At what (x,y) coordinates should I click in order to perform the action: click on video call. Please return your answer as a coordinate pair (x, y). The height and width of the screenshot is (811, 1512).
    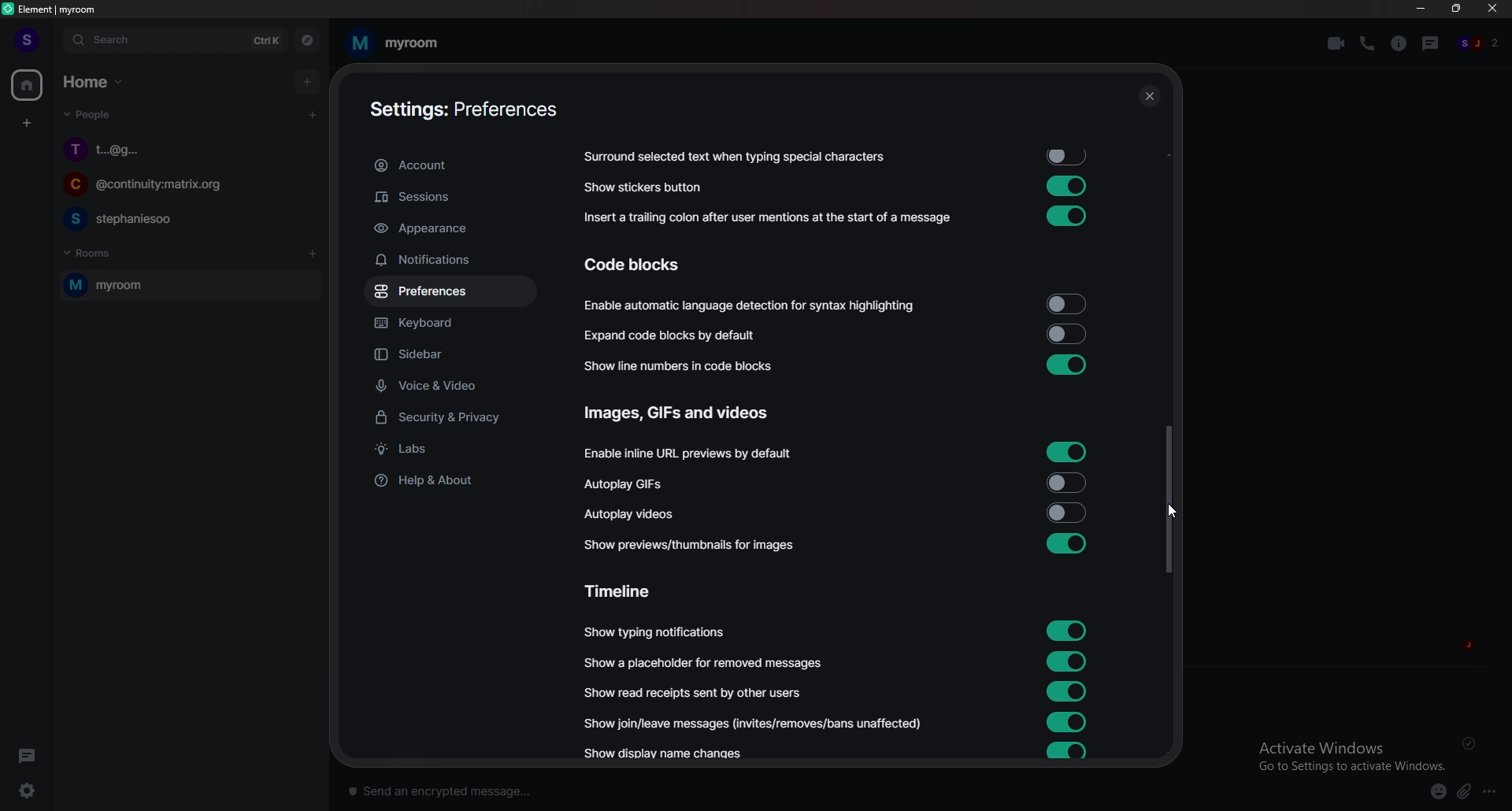
    Looking at the image, I should click on (1336, 43).